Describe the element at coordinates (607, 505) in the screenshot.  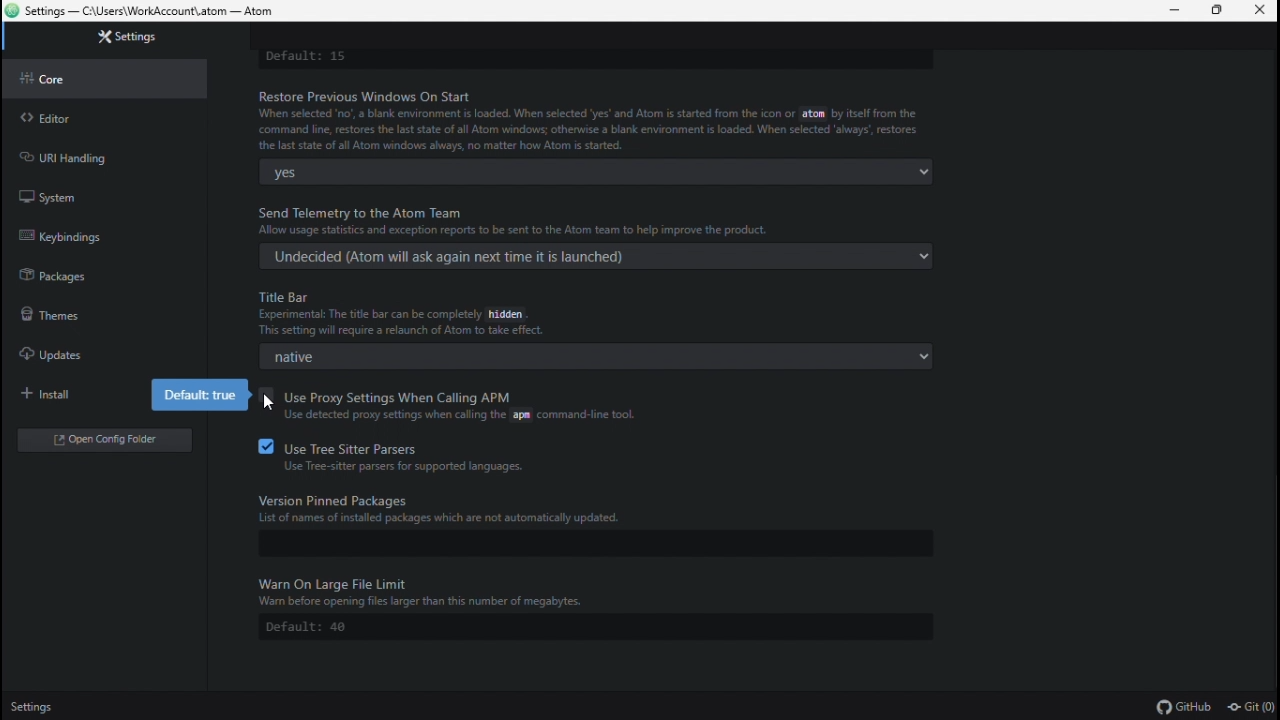
I see `Version pinned packages` at that location.